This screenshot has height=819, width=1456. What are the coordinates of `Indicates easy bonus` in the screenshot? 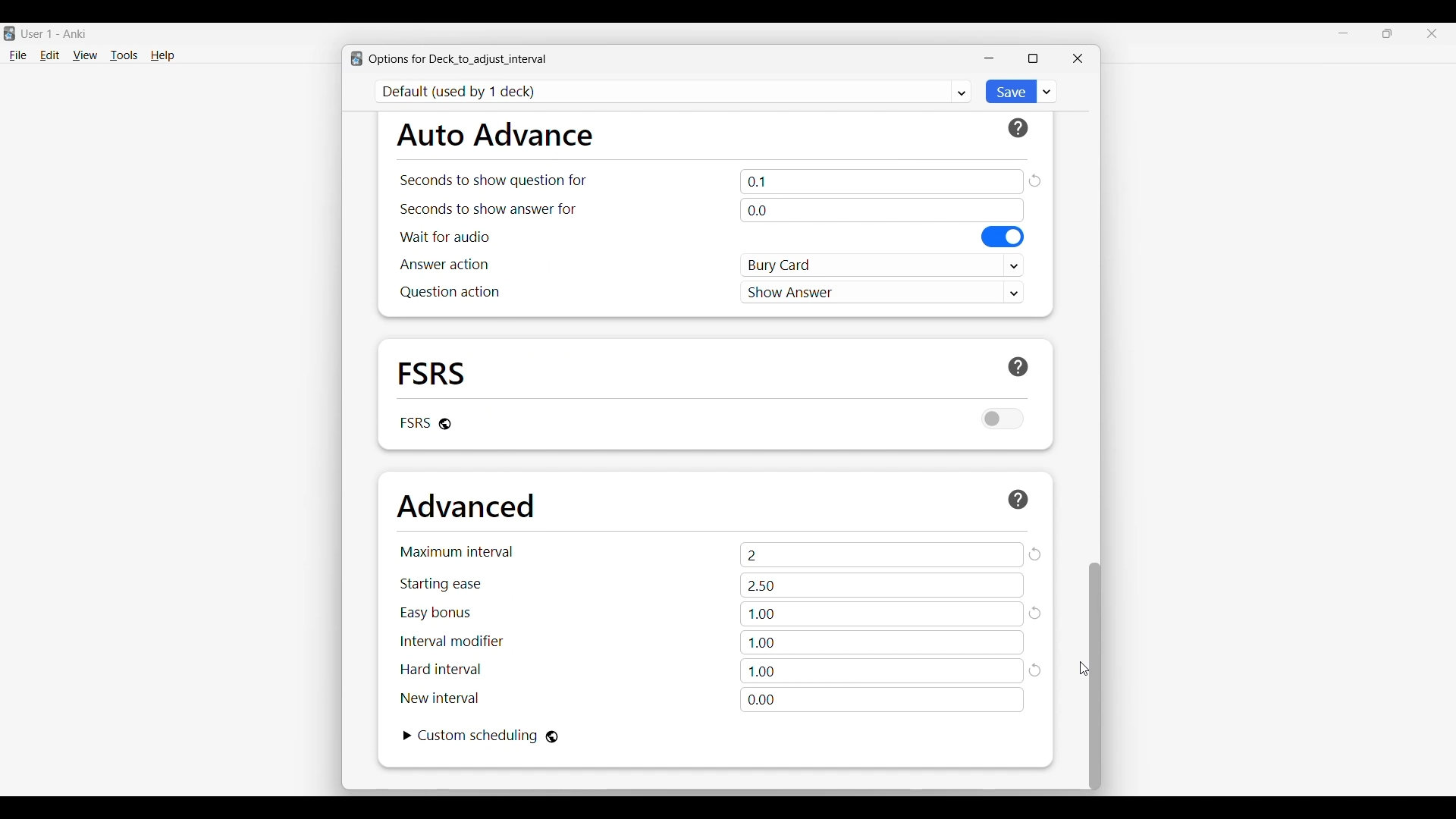 It's located at (436, 613).